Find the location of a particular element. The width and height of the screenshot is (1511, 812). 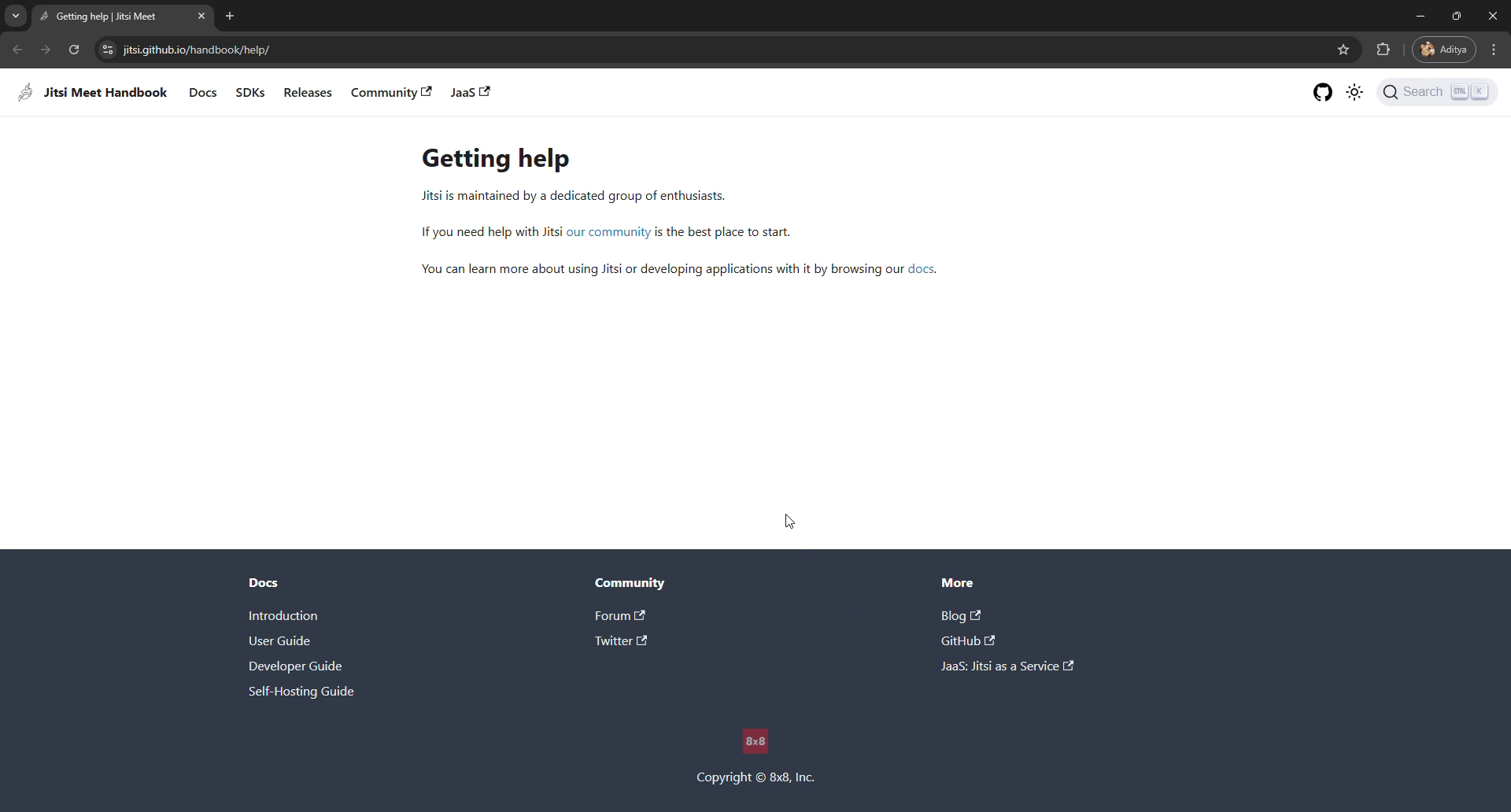

search tabs is located at coordinates (17, 17).